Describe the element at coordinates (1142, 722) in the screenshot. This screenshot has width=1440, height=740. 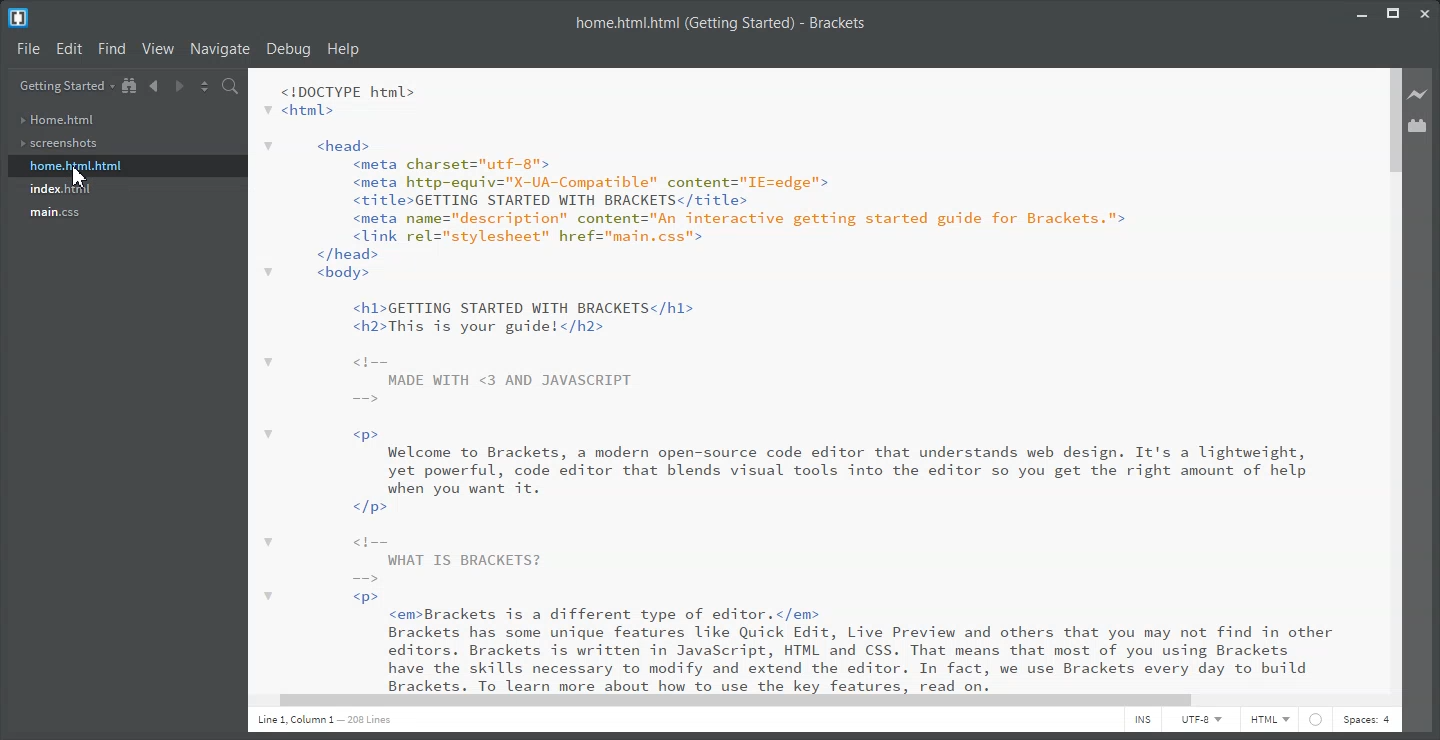
I see `INS` at that location.